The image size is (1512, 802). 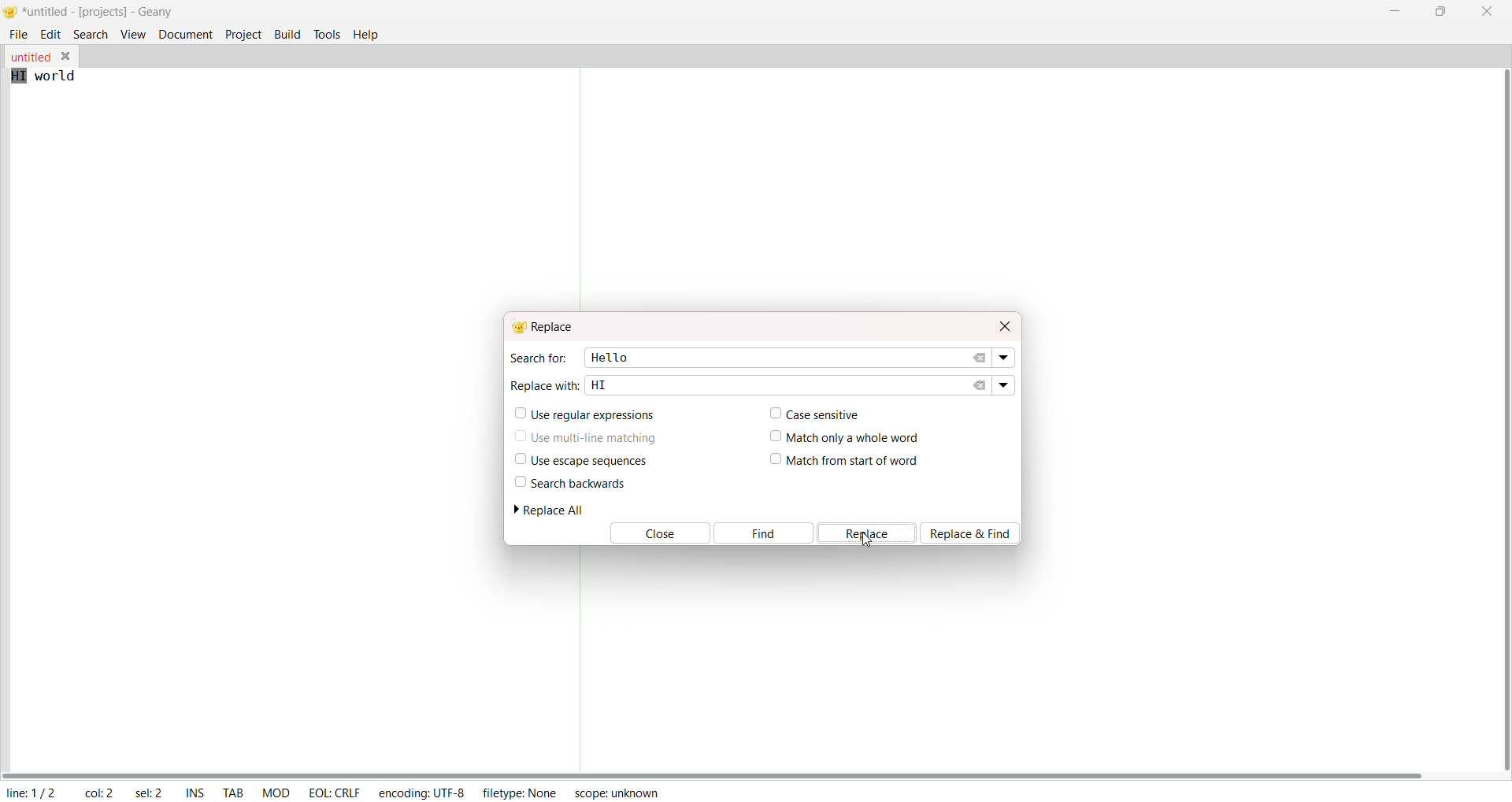 What do you see at coordinates (334, 790) in the screenshot?
I see `EOL: CRLF` at bounding box center [334, 790].